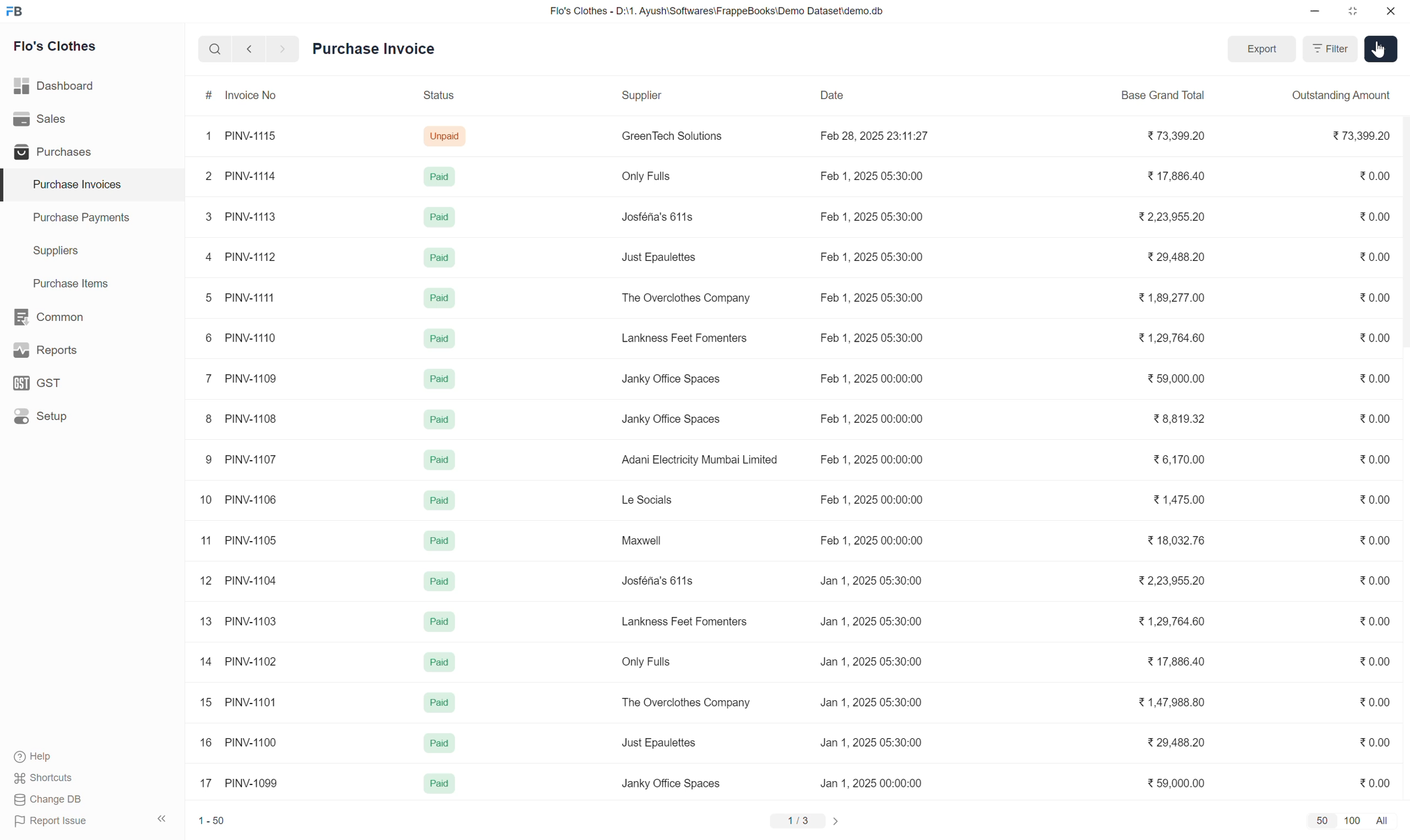  What do you see at coordinates (252, 703) in the screenshot?
I see `PINV-1101` at bounding box center [252, 703].